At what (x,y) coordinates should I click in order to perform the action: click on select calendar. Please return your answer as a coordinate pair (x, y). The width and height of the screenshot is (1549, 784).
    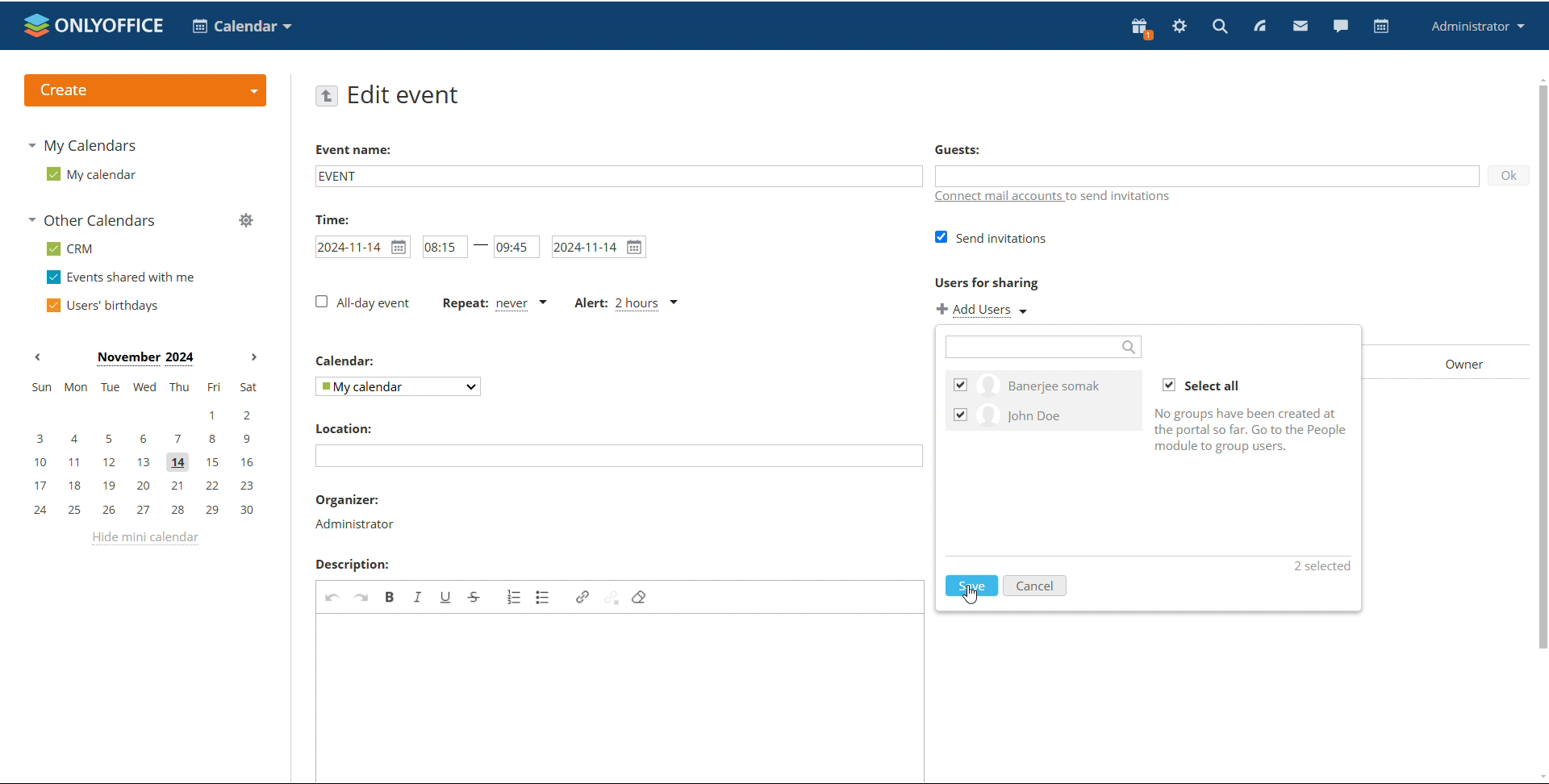
    Looking at the image, I should click on (399, 386).